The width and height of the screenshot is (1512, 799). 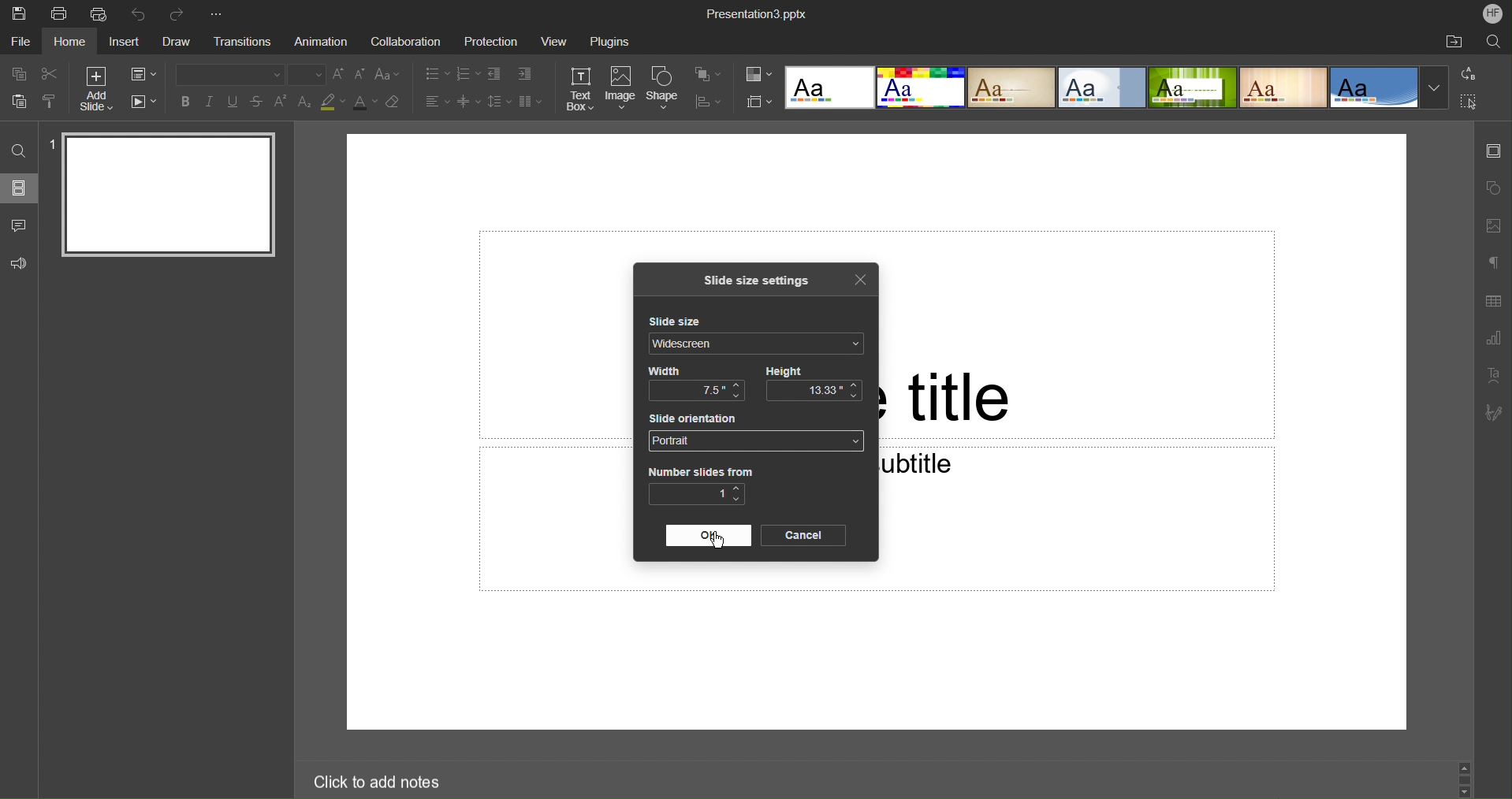 What do you see at coordinates (1492, 413) in the screenshot?
I see `Signature` at bounding box center [1492, 413].